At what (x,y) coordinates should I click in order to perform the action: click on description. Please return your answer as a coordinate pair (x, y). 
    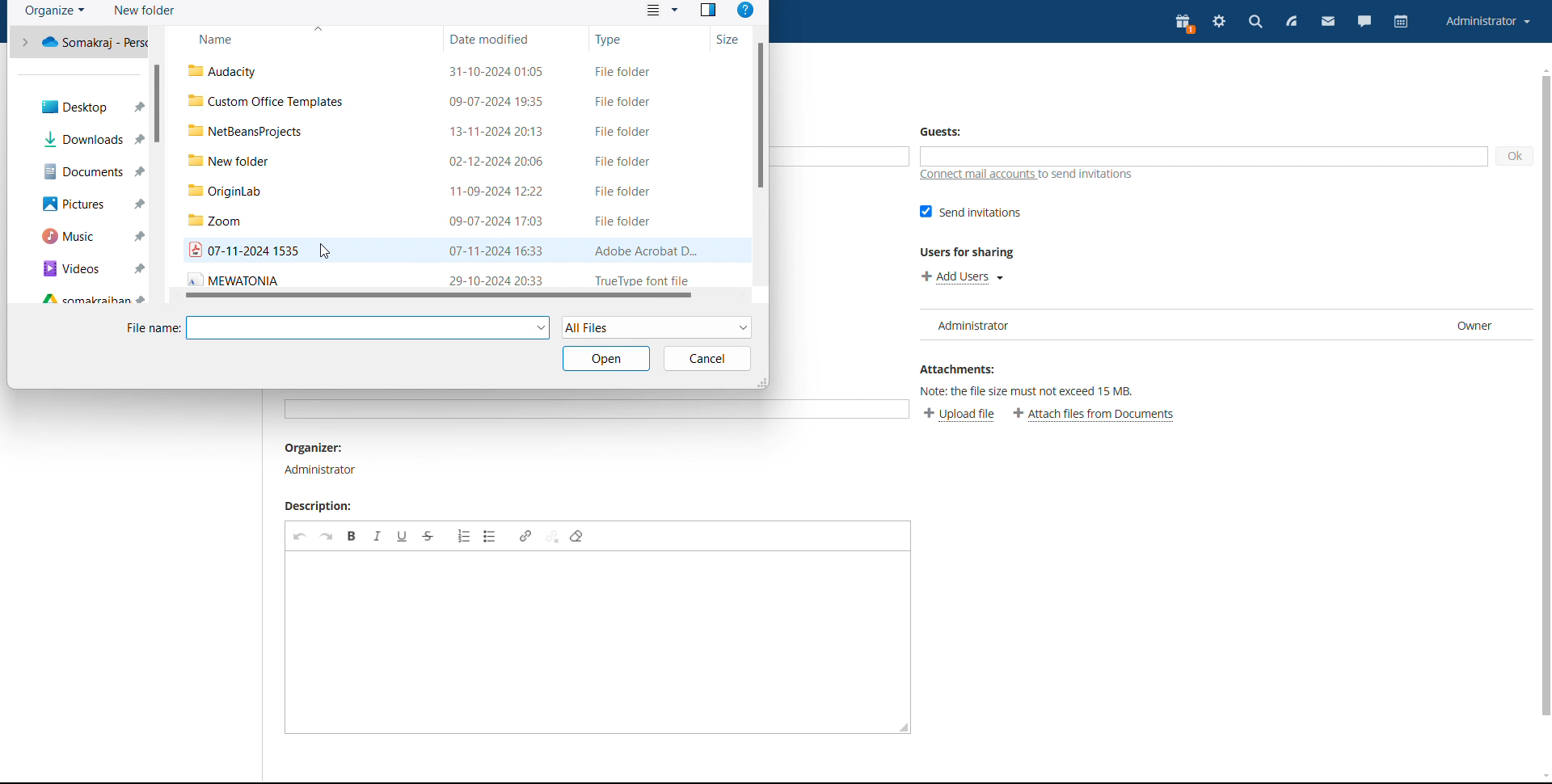
    Looking at the image, I should click on (322, 507).